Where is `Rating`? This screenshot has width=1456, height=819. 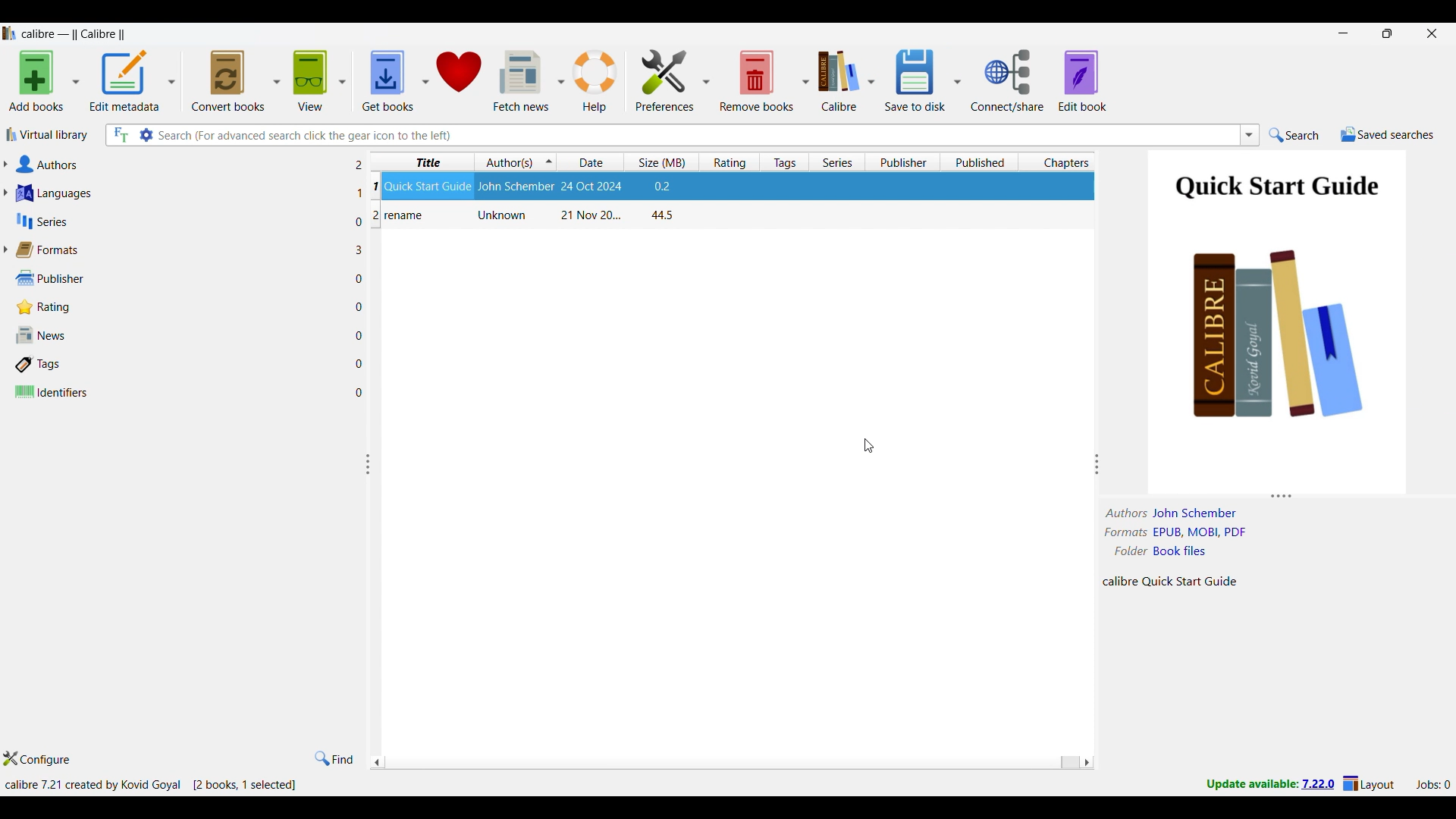 Rating is located at coordinates (175, 307).